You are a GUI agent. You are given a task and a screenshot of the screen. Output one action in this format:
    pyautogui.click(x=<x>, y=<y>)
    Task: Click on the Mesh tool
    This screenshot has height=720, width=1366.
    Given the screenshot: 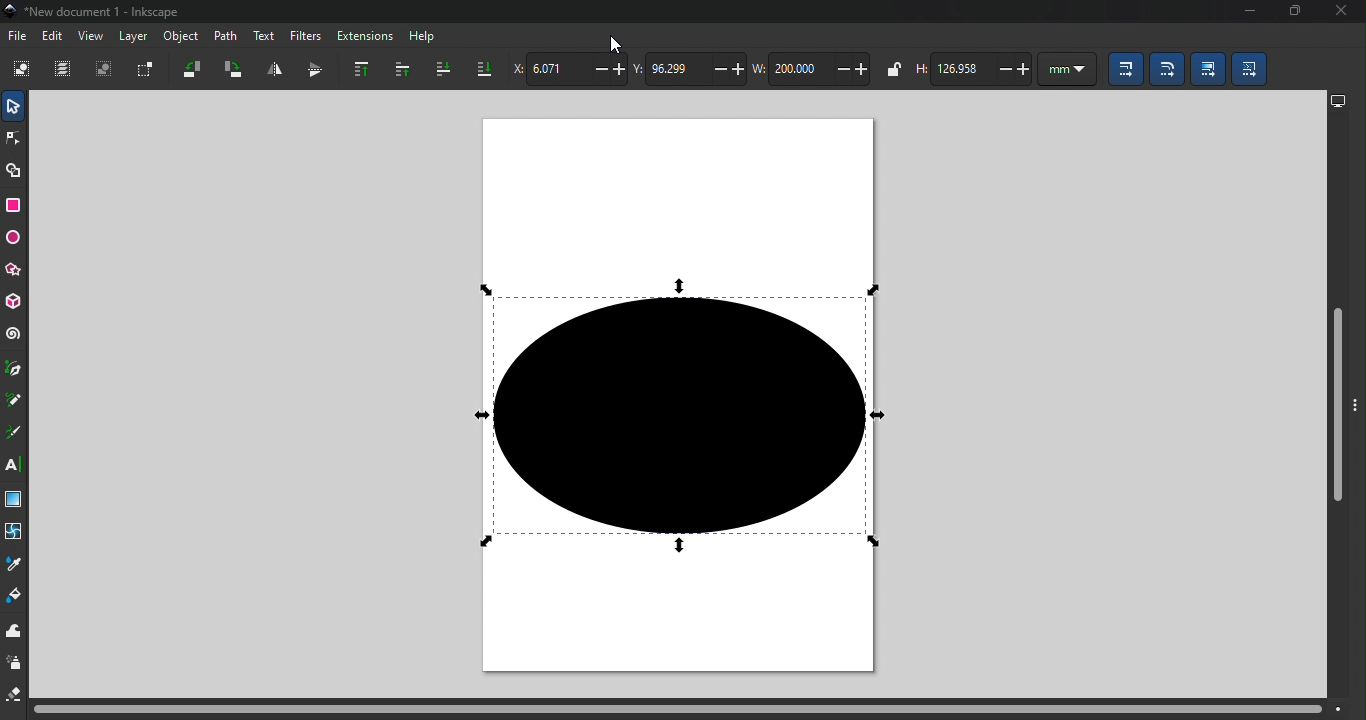 What is the action you would take?
    pyautogui.click(x=14, y=532)
    